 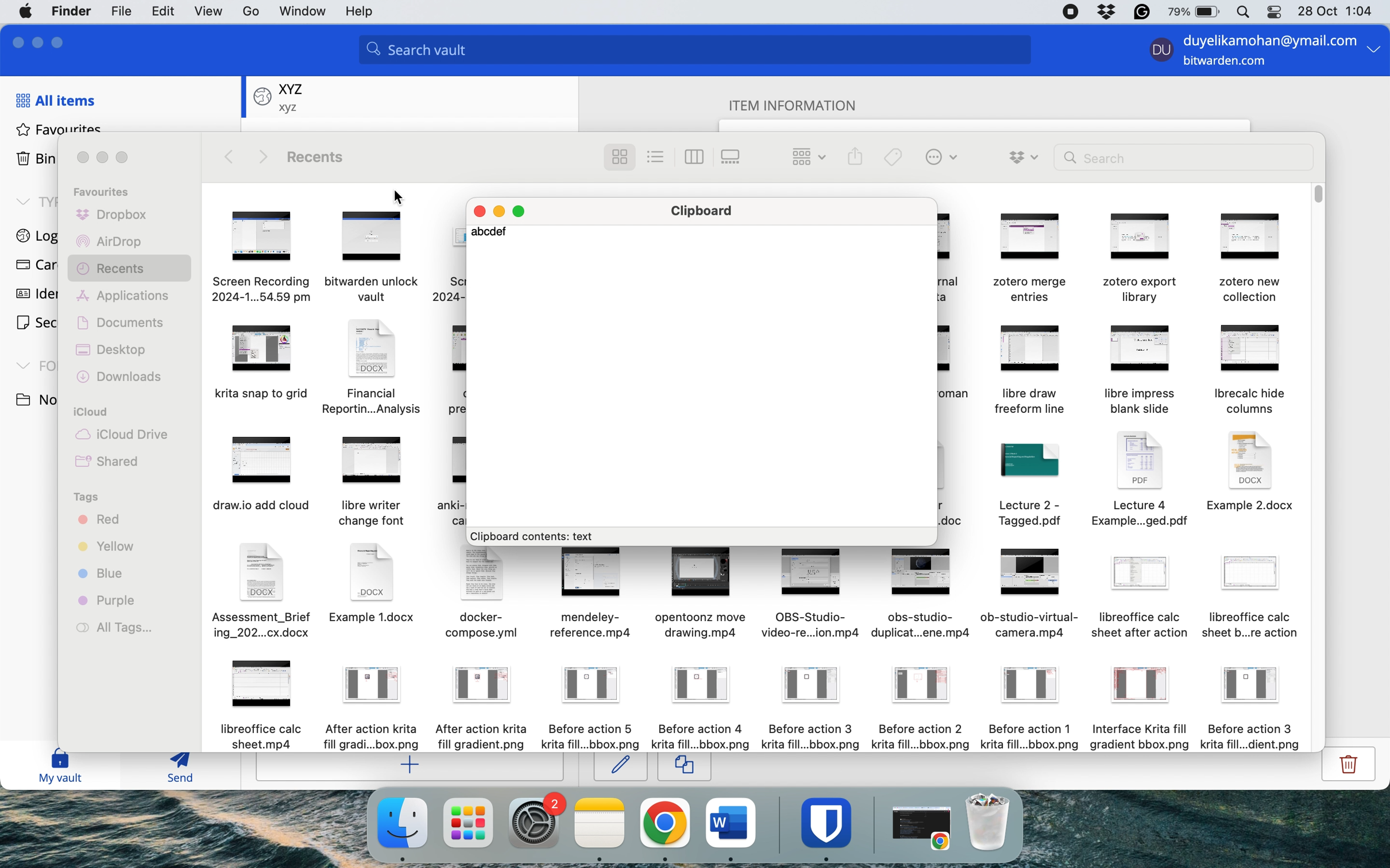 What do you see at coordinates (830, 822) in the screenshot?
I see `bitwarden` at bounding box center [830, 822].